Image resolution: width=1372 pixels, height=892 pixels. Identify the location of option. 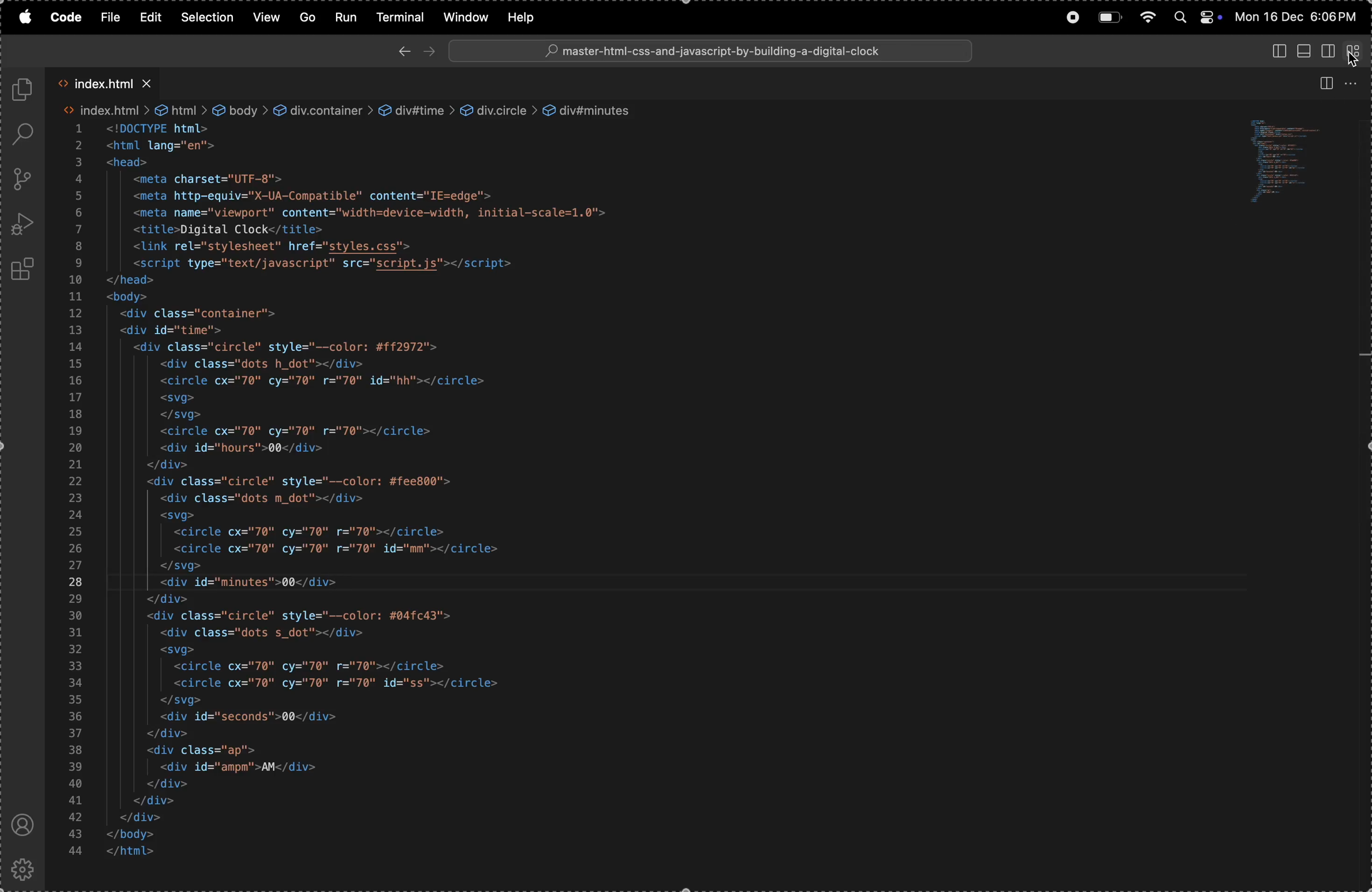
(1356, 82).